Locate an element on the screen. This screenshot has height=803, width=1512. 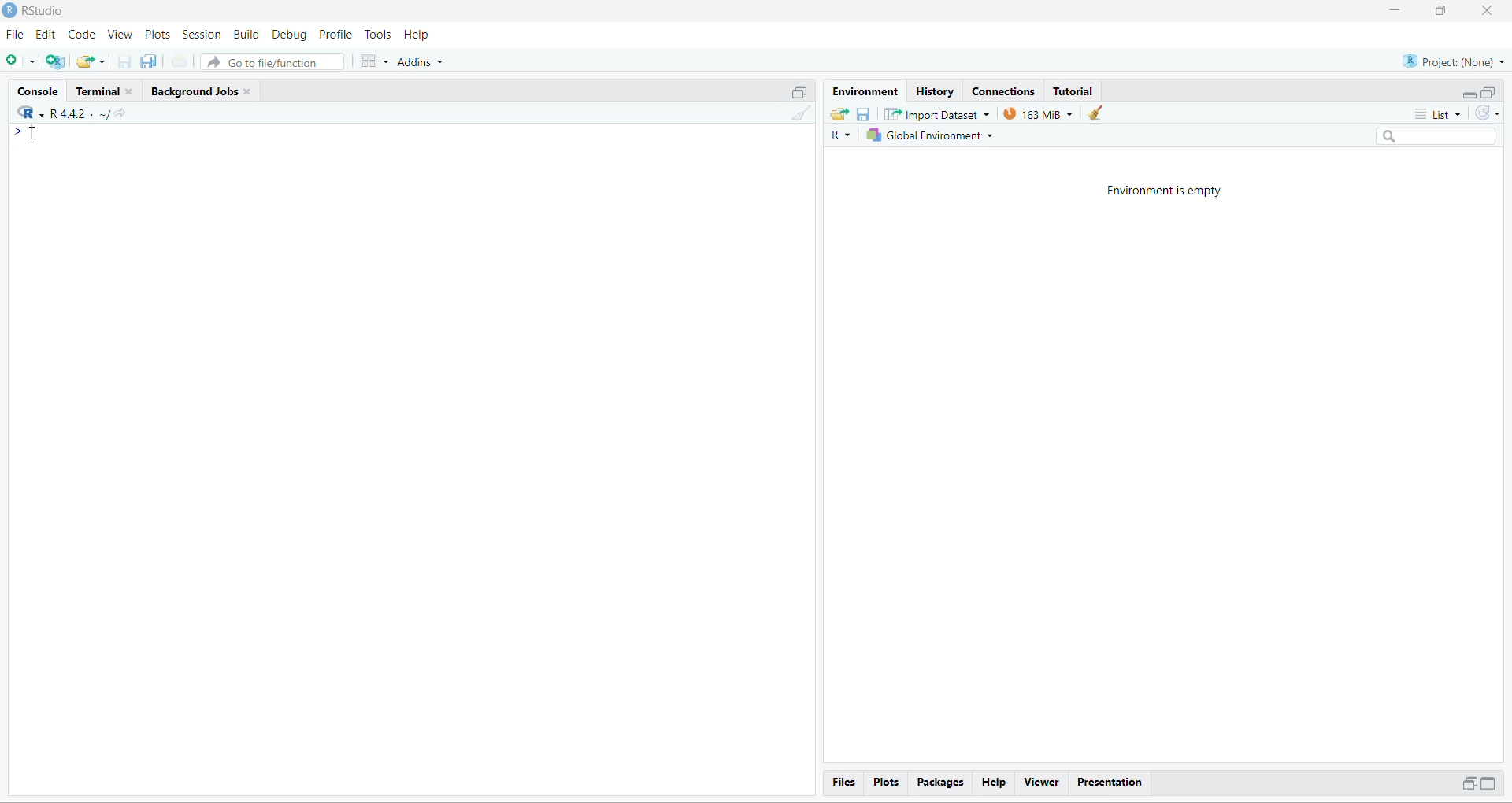
new file is located at coordinates (17, 59).